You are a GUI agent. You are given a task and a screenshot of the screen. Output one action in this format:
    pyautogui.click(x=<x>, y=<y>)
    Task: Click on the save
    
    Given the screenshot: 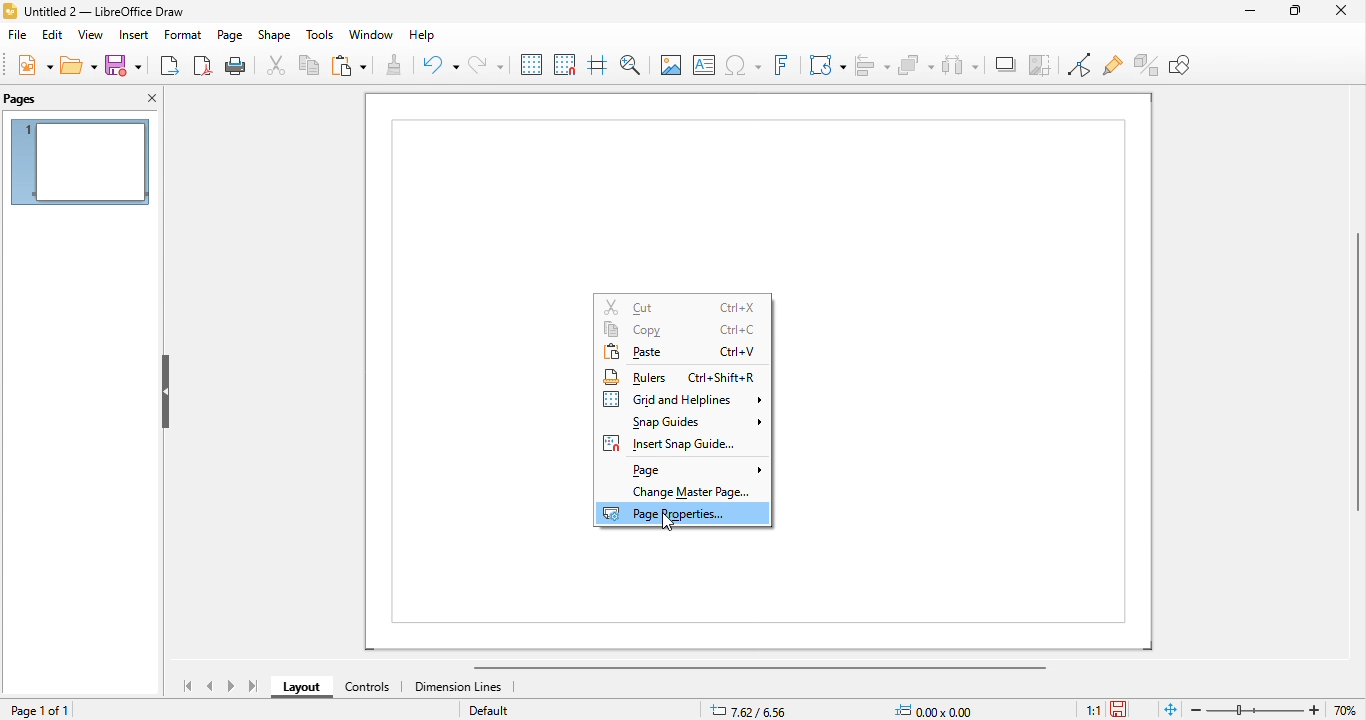 What is the action you would take?
    pyautogui.click(x=1131, y=705)
    